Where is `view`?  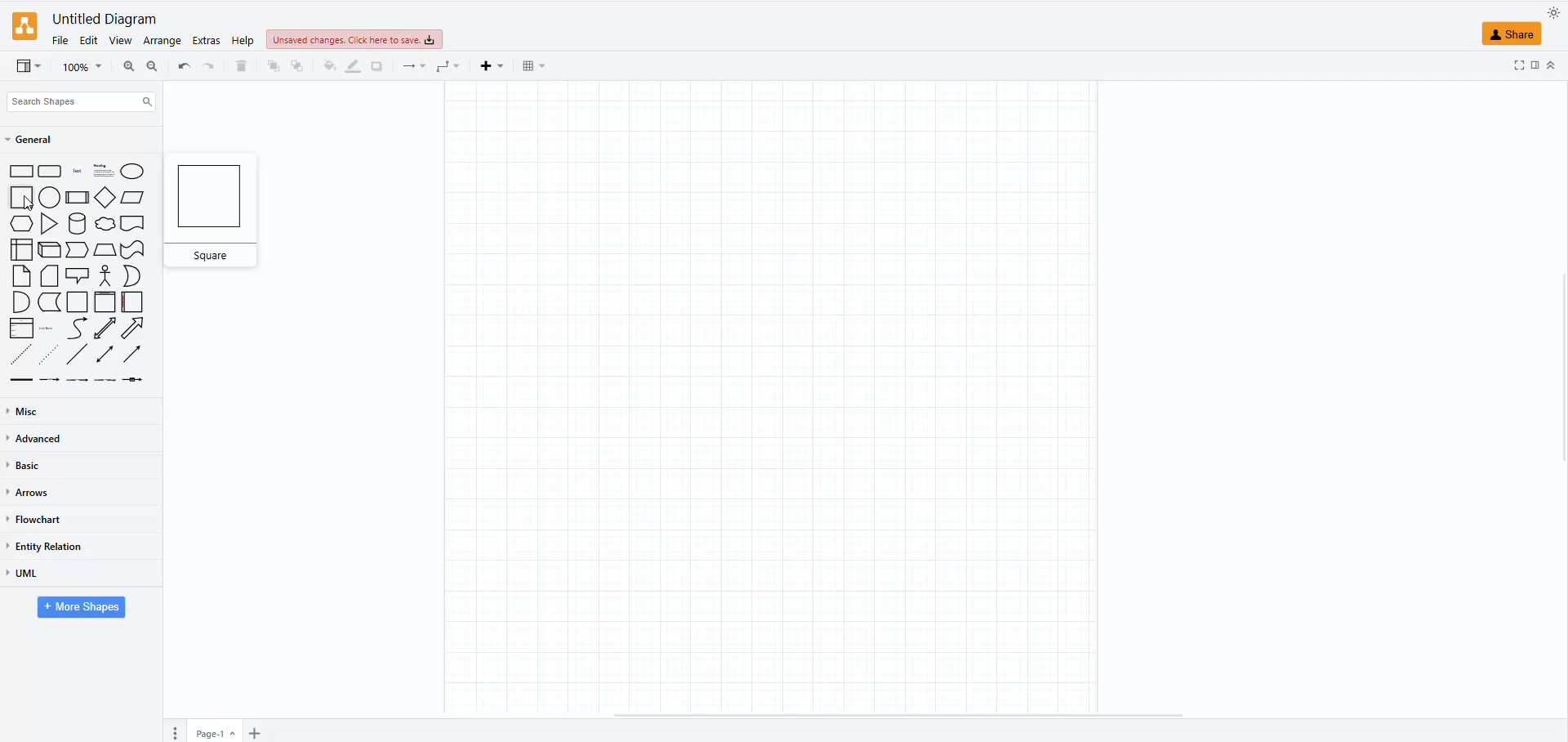 view is located at coordinates (120, 41).